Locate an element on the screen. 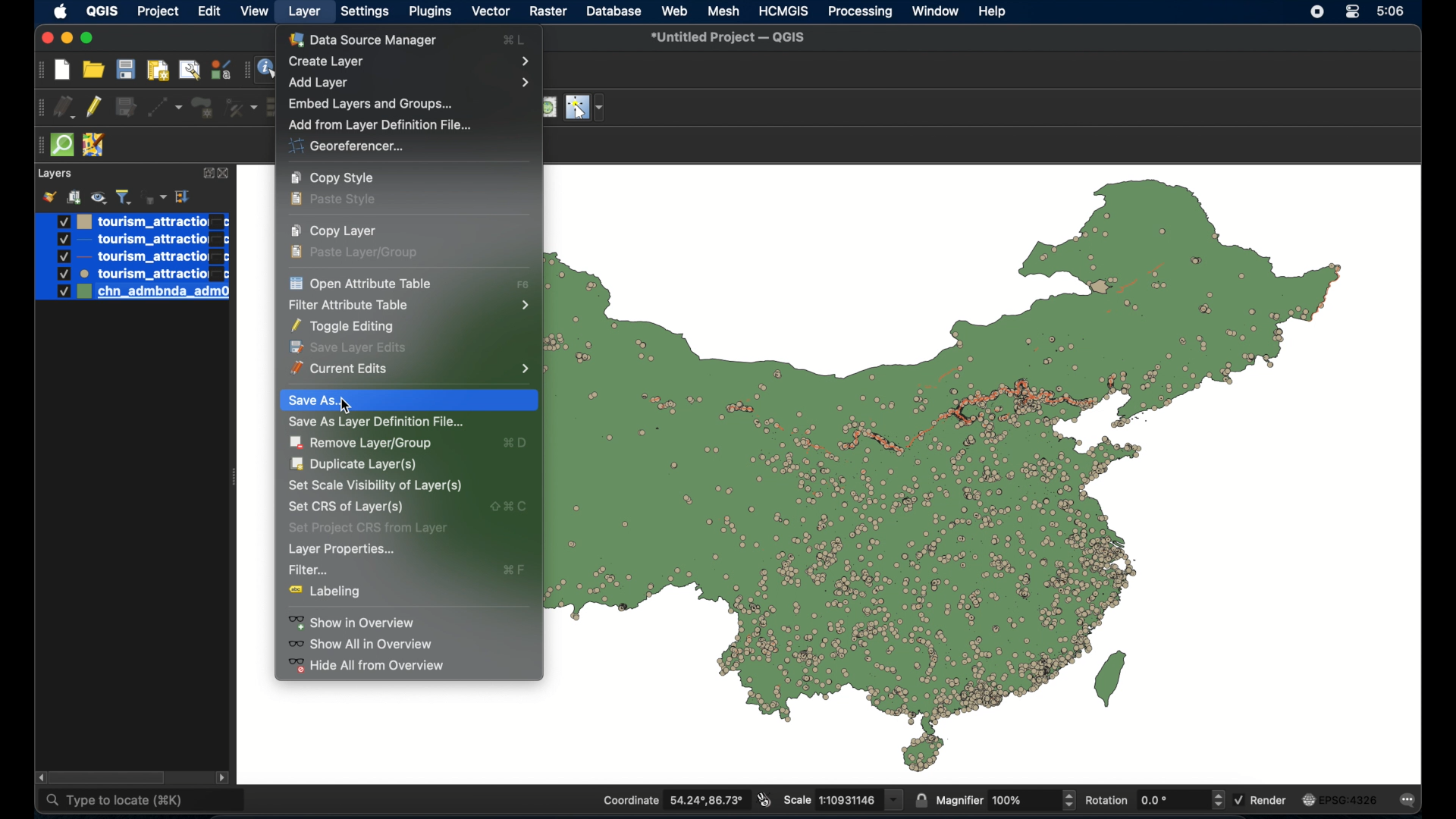  project is located at coordinates (155, 11).